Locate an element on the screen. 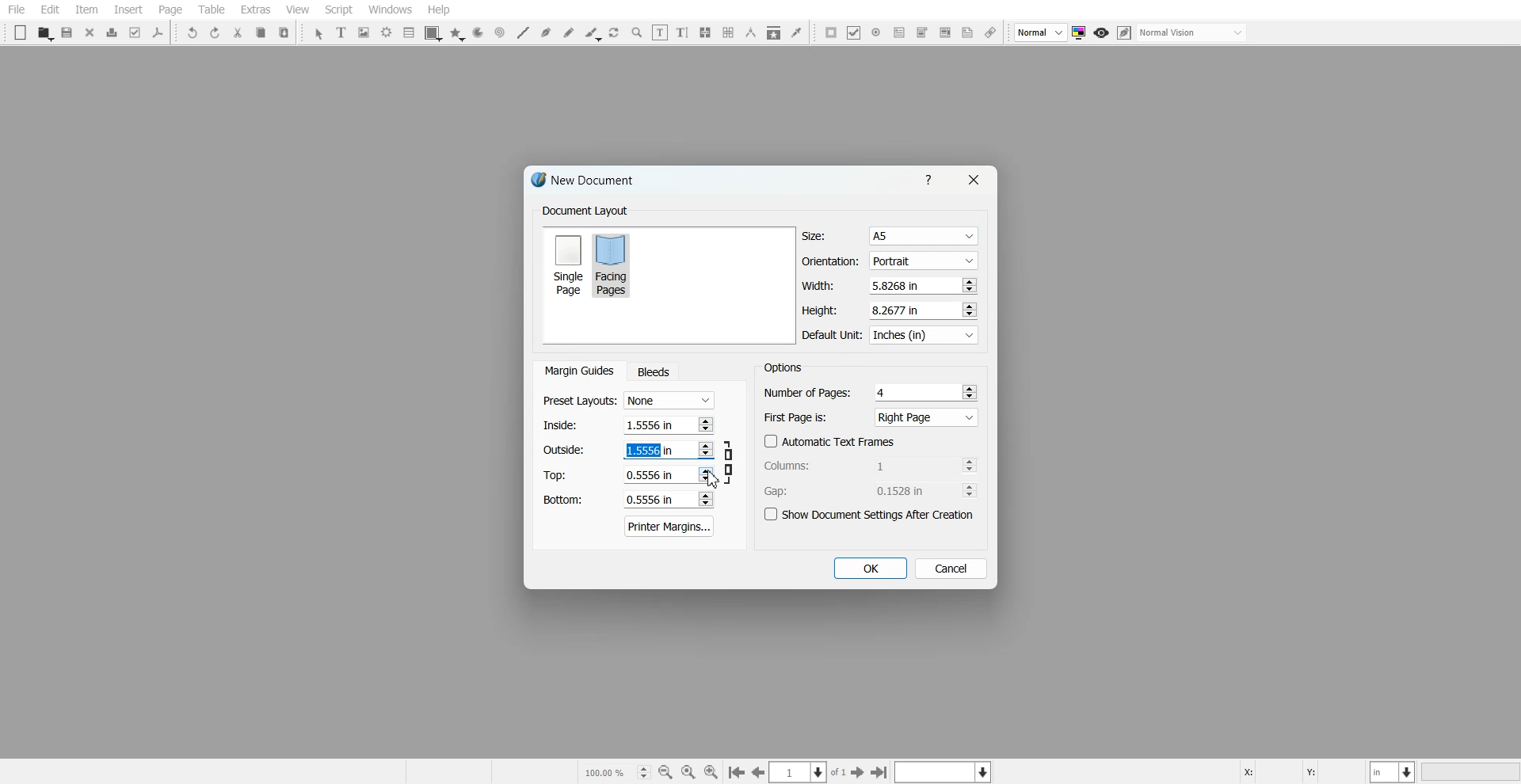 The width and height of the screenshot is (1521, 784). Redo is located at coordinates (215, 32).